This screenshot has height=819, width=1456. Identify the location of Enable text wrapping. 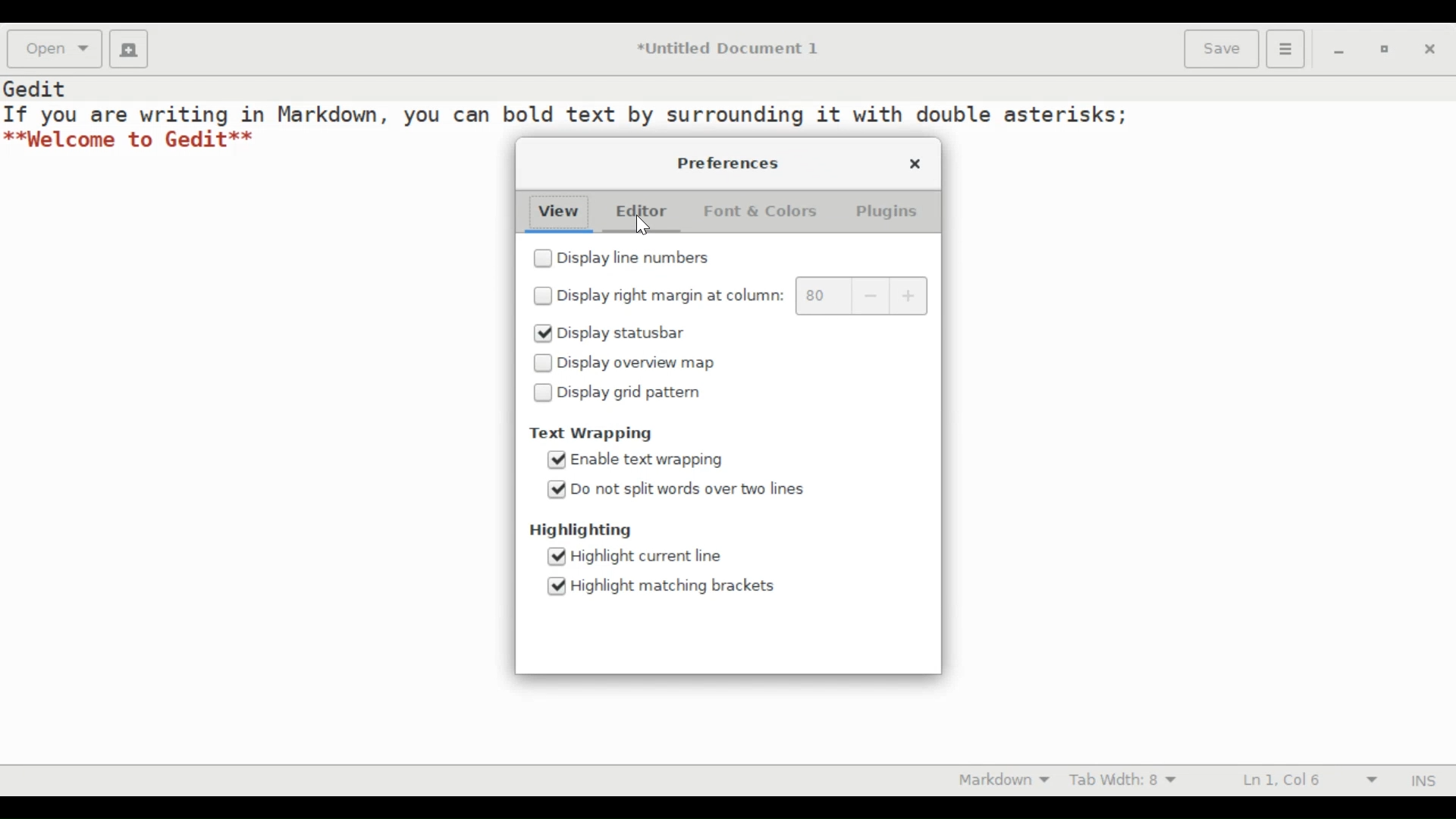
(648, 460).